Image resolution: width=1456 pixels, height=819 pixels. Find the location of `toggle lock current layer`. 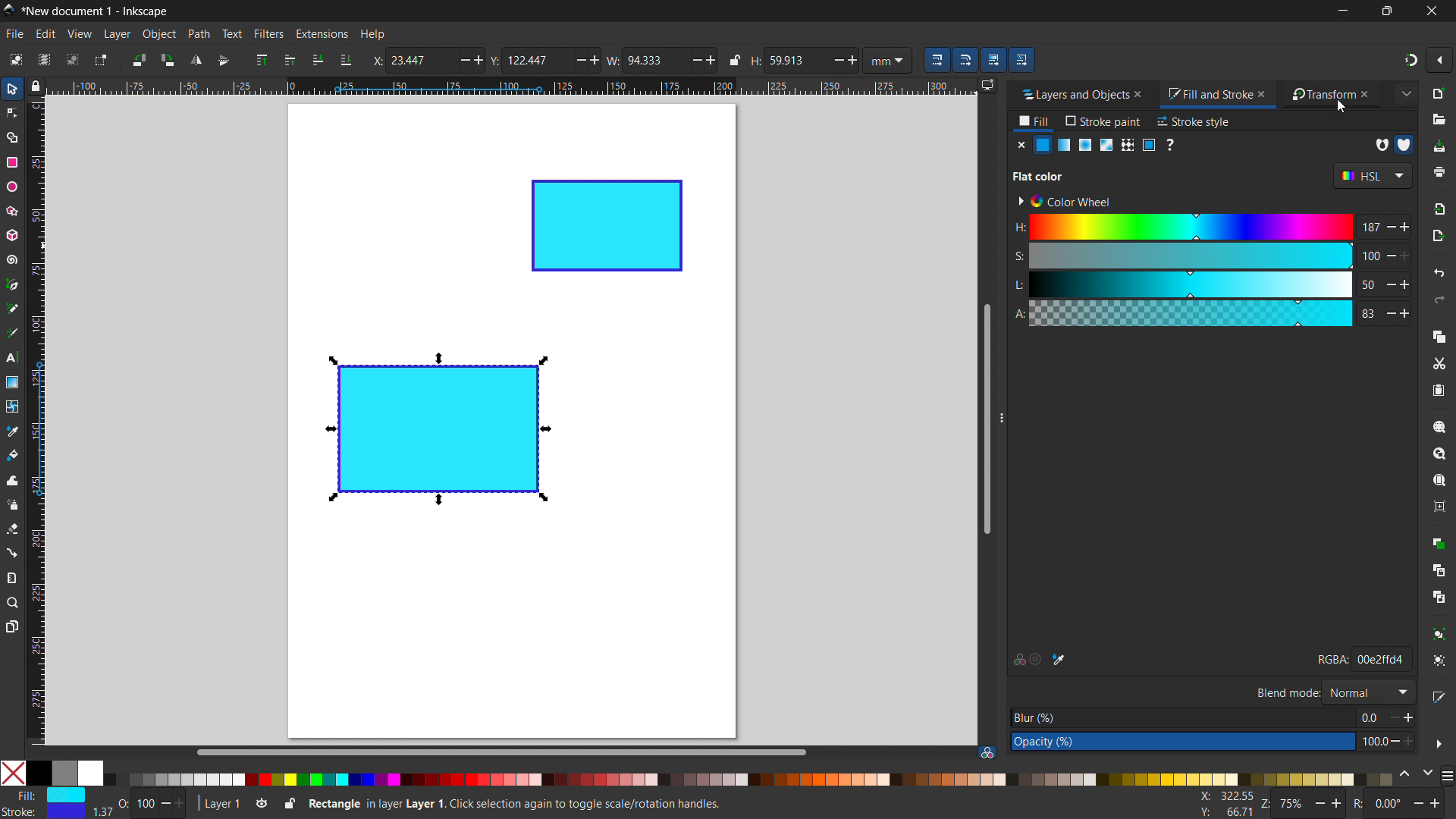

toggle lock current layer is located at coordinates (289, 802).